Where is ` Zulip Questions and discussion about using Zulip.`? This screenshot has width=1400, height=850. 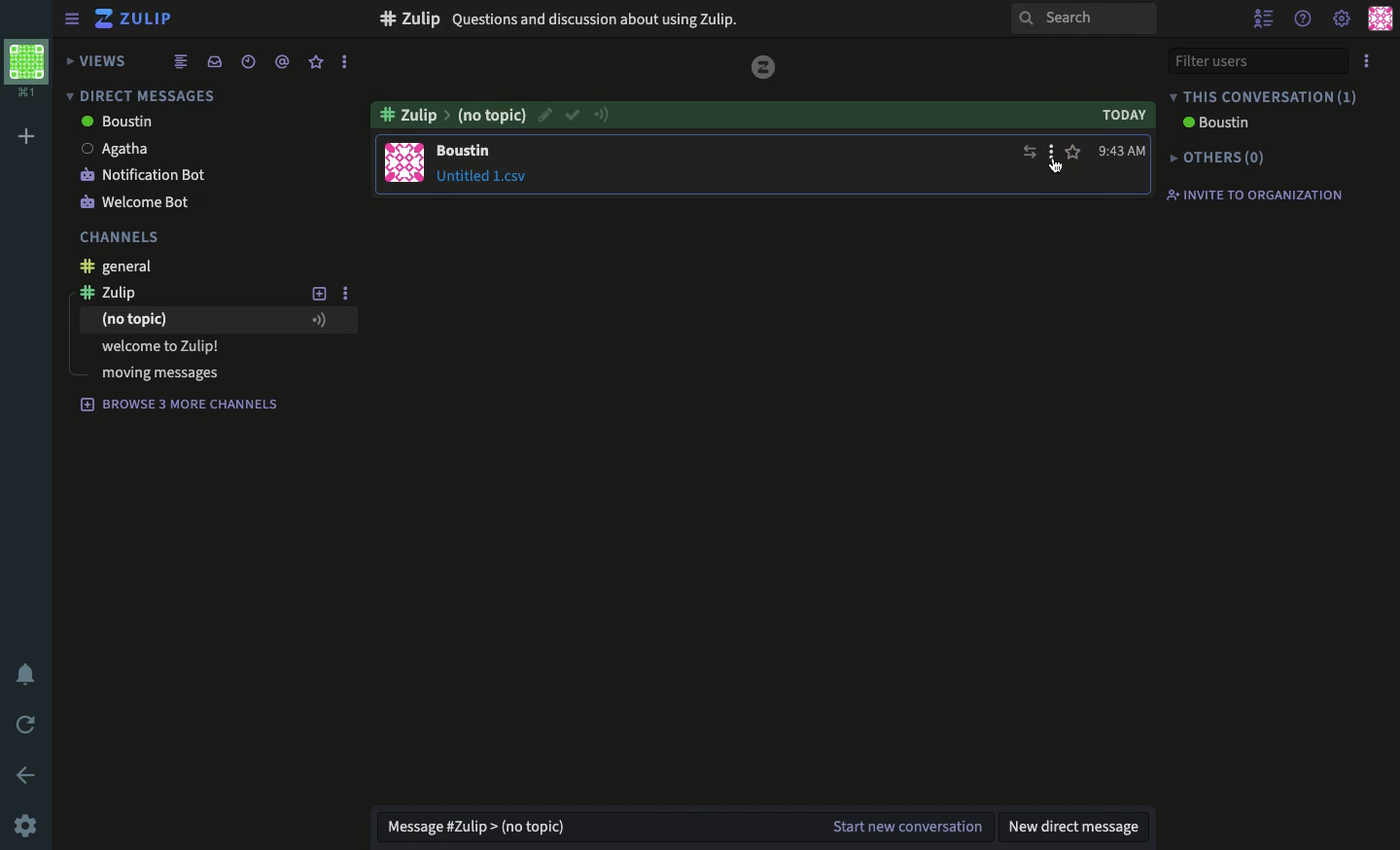  Zulip Questions and discussion about using Zulip. is located at coordinates (560, 18).